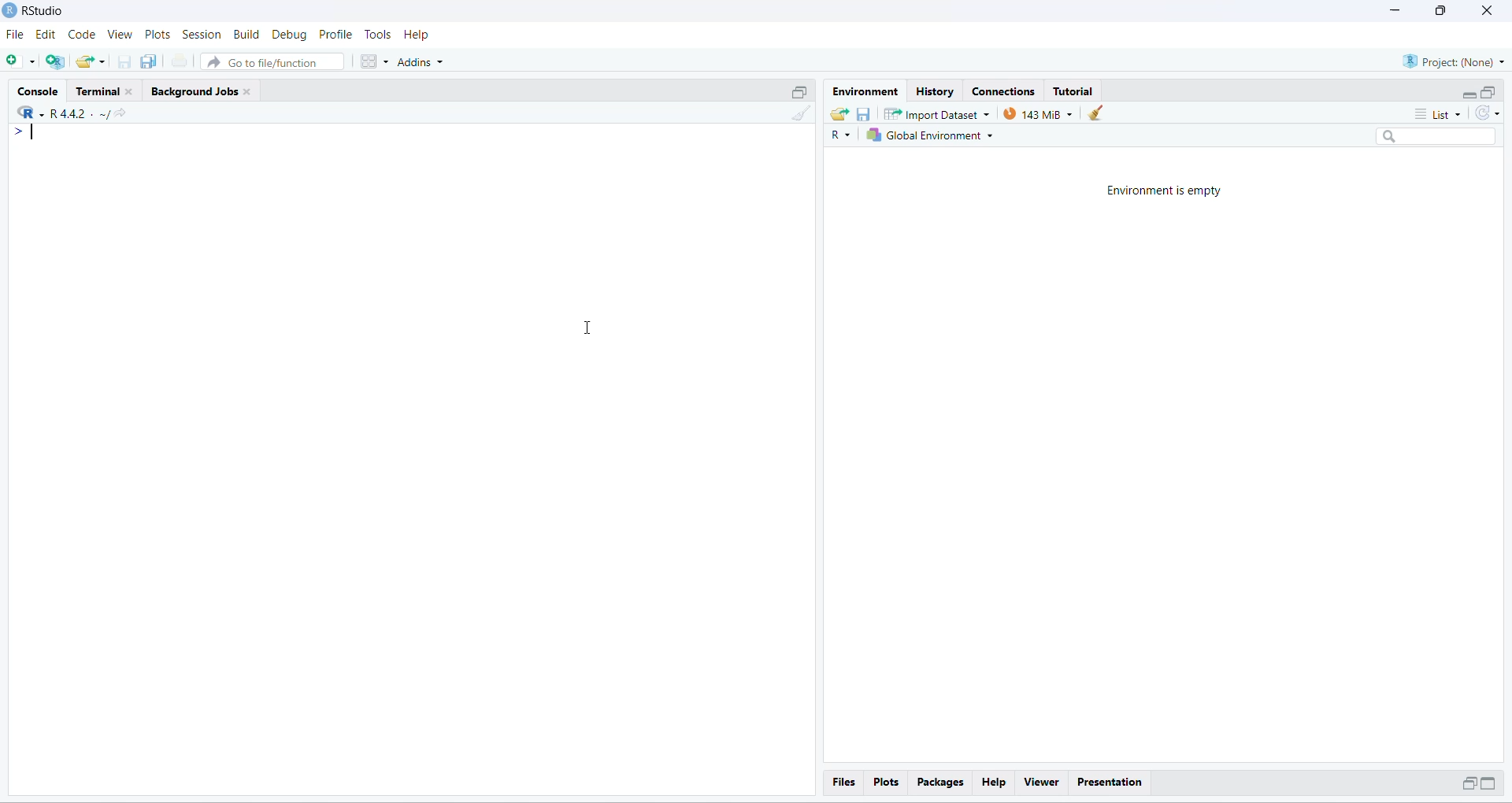 The image size is (1512, 803). I want to click on save, so click(864, 115).